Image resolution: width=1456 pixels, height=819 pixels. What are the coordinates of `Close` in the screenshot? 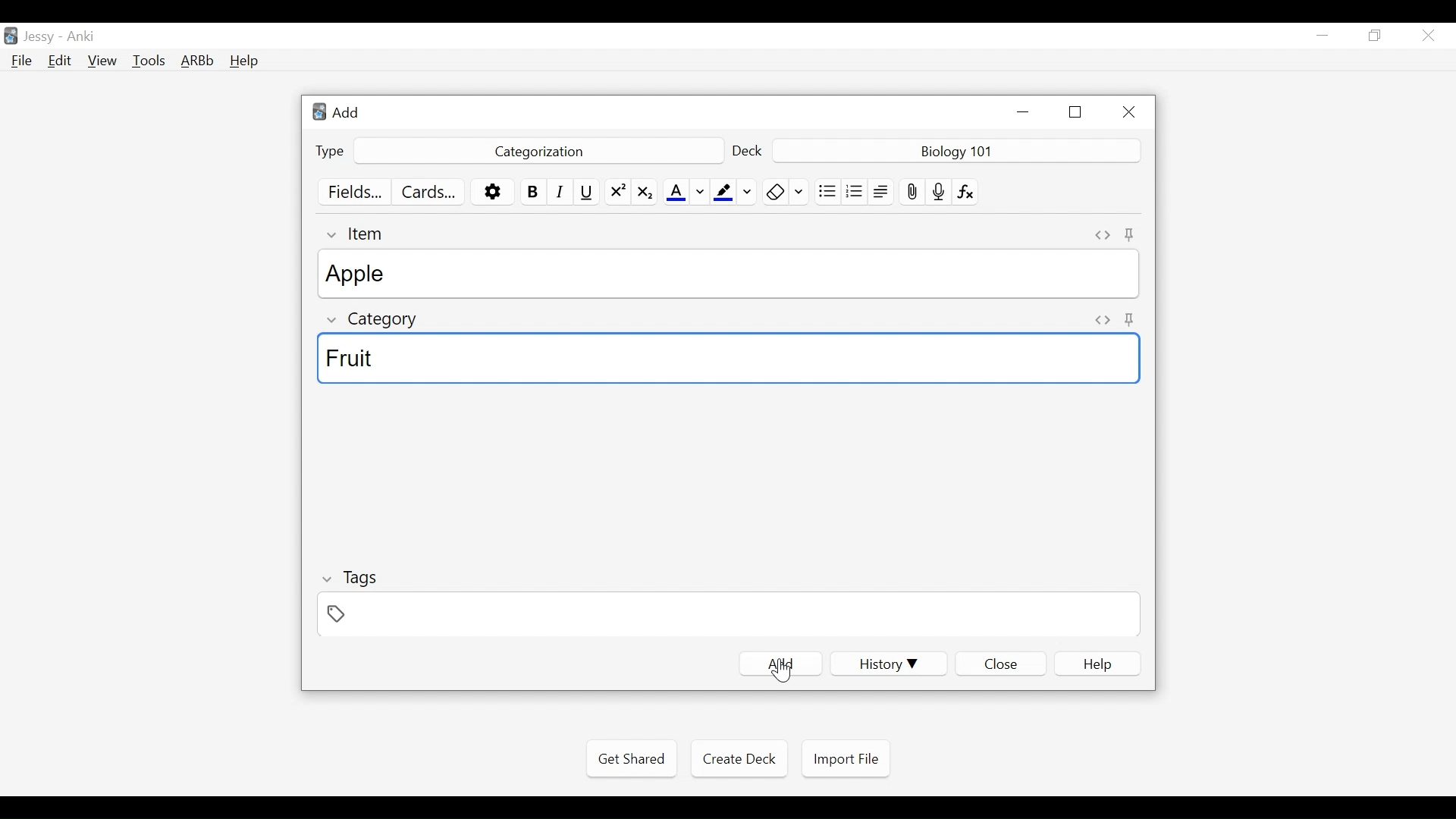 It's located at (1126, 112).